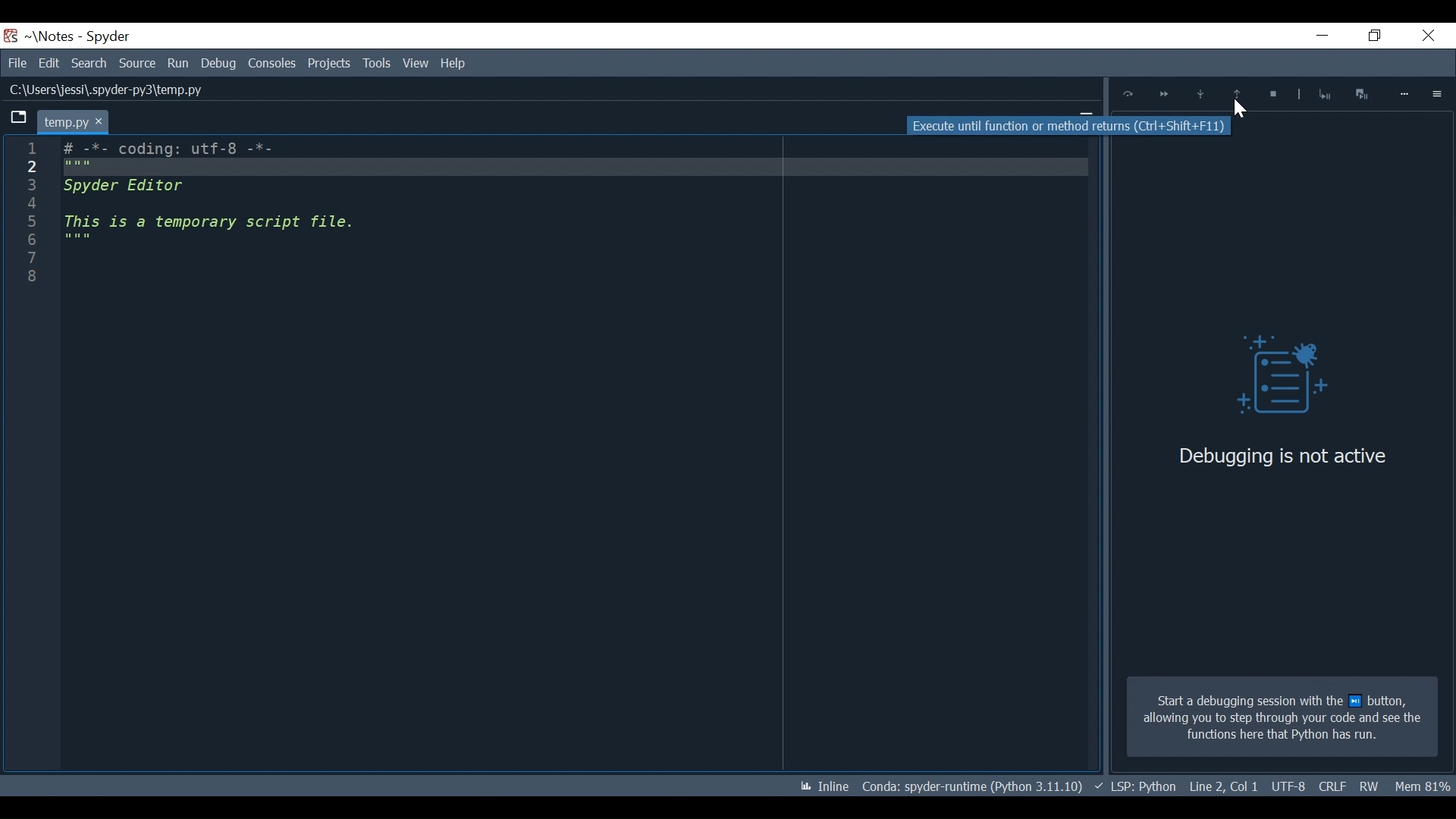 This screenshot has width=1456, height=819. I want to click on Stop Debugging, so click(1270, 96).